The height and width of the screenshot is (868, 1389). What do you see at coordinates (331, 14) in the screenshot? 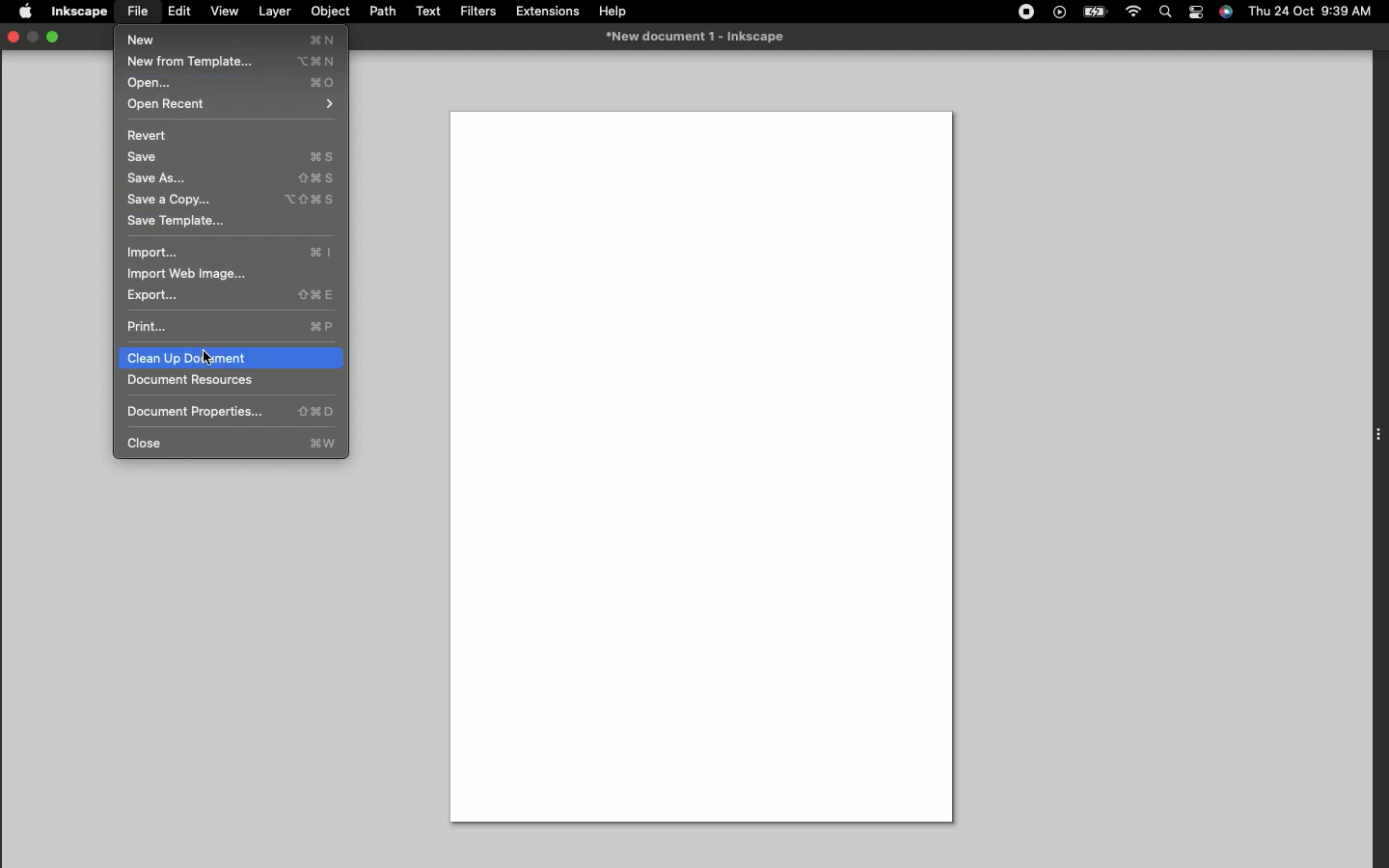
I see `Object` at bounding box center [331, 14].